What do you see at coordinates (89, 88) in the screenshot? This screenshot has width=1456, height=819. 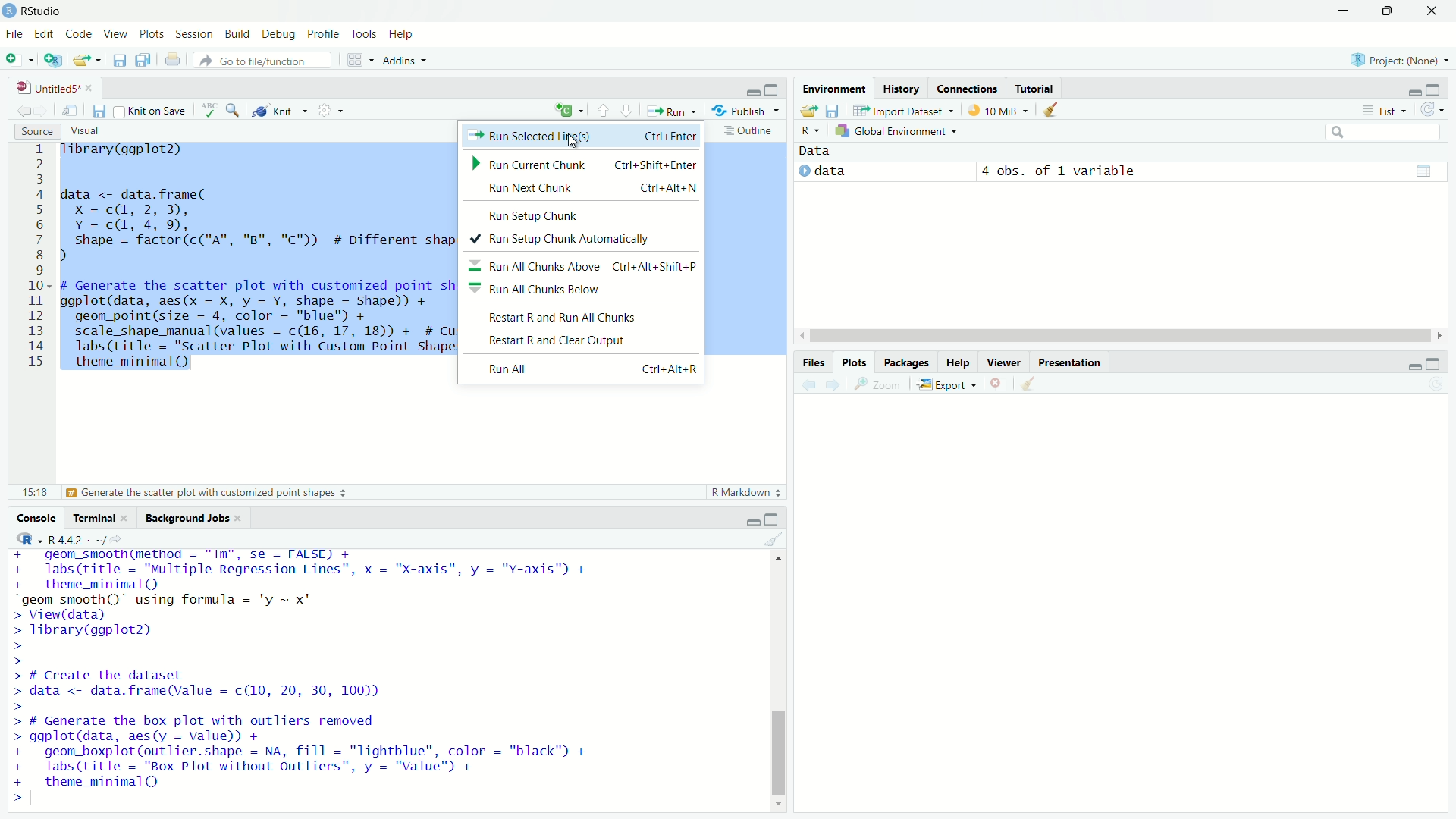 I see `close` at bounding box center [89, 88].